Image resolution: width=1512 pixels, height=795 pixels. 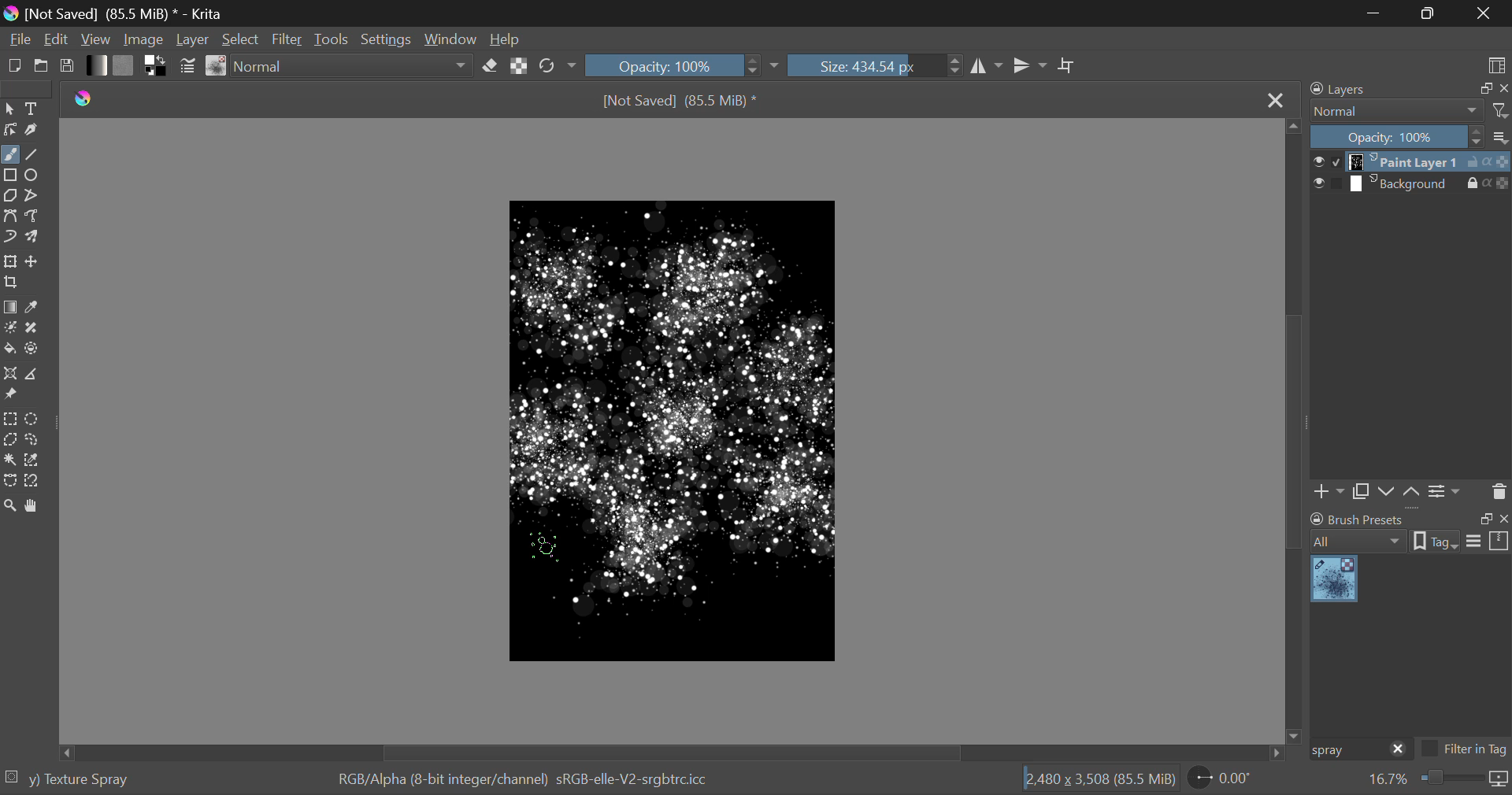 What do you see at coordinates (1488, 162) in the screenshot?
I see `actions` at bounding box center [1488, 162].